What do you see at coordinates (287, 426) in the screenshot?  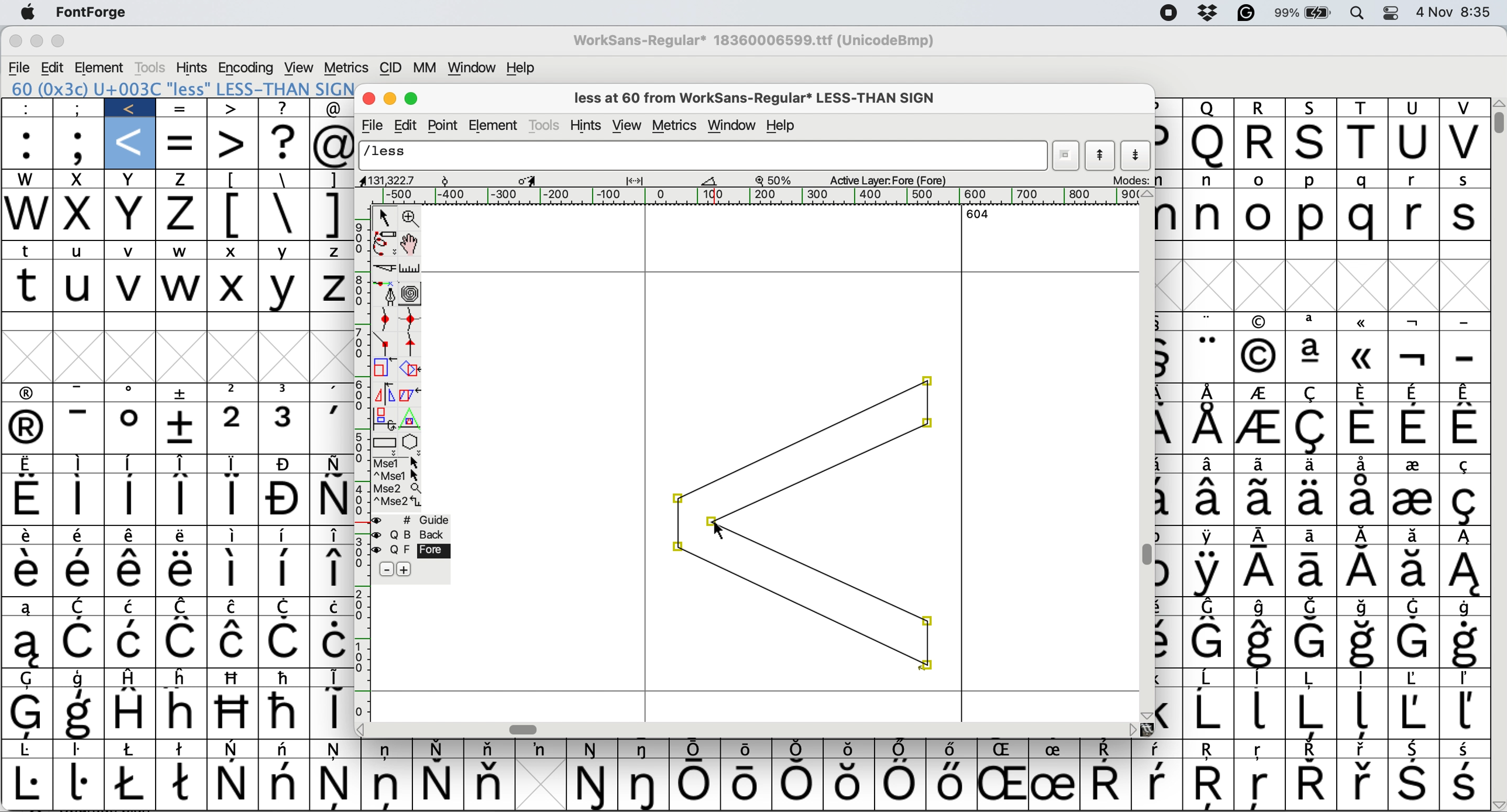 I see `3` at bounding box center [287, 426].